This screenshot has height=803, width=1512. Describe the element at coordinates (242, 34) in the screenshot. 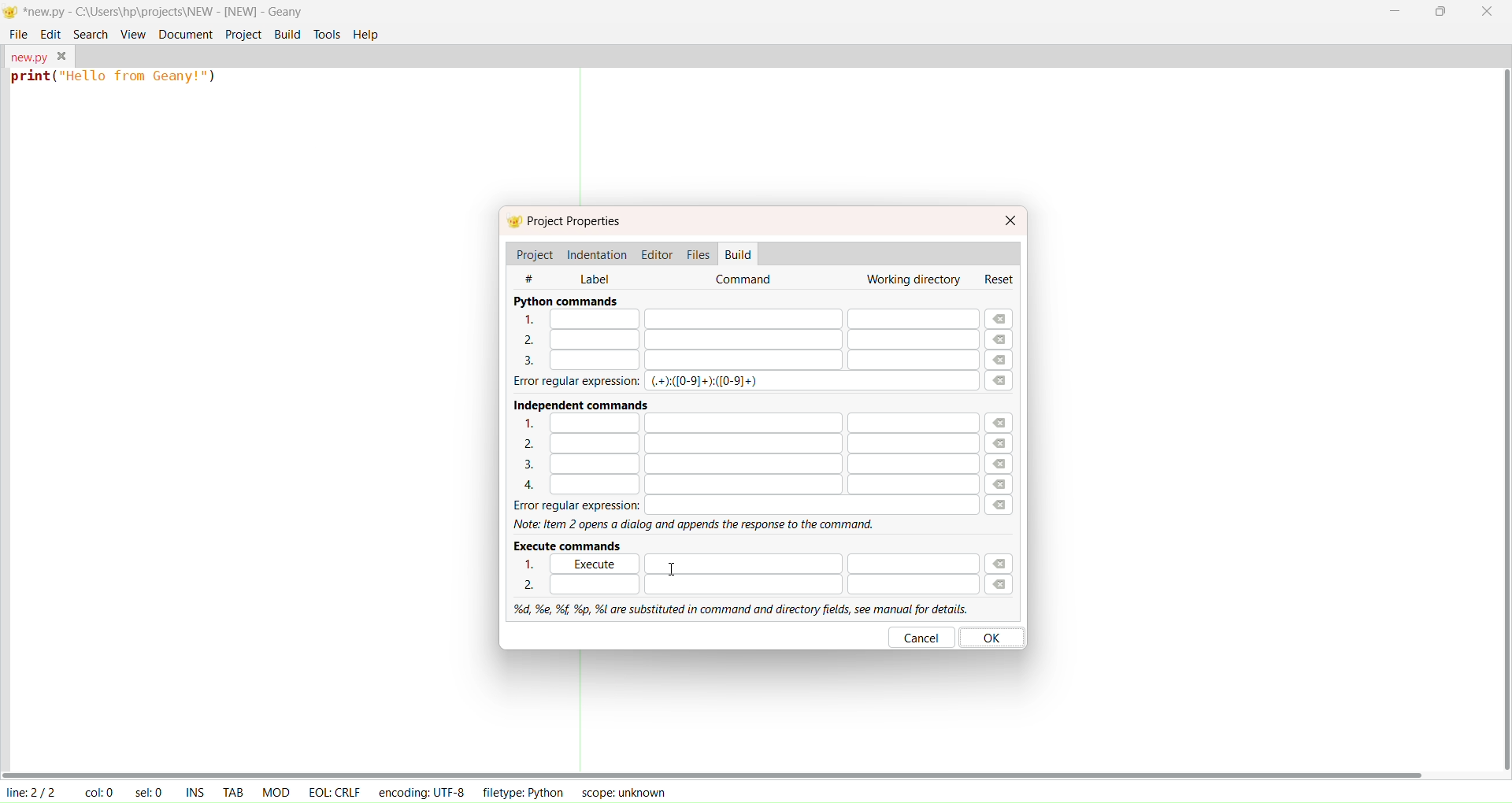

I see `project` at that location.